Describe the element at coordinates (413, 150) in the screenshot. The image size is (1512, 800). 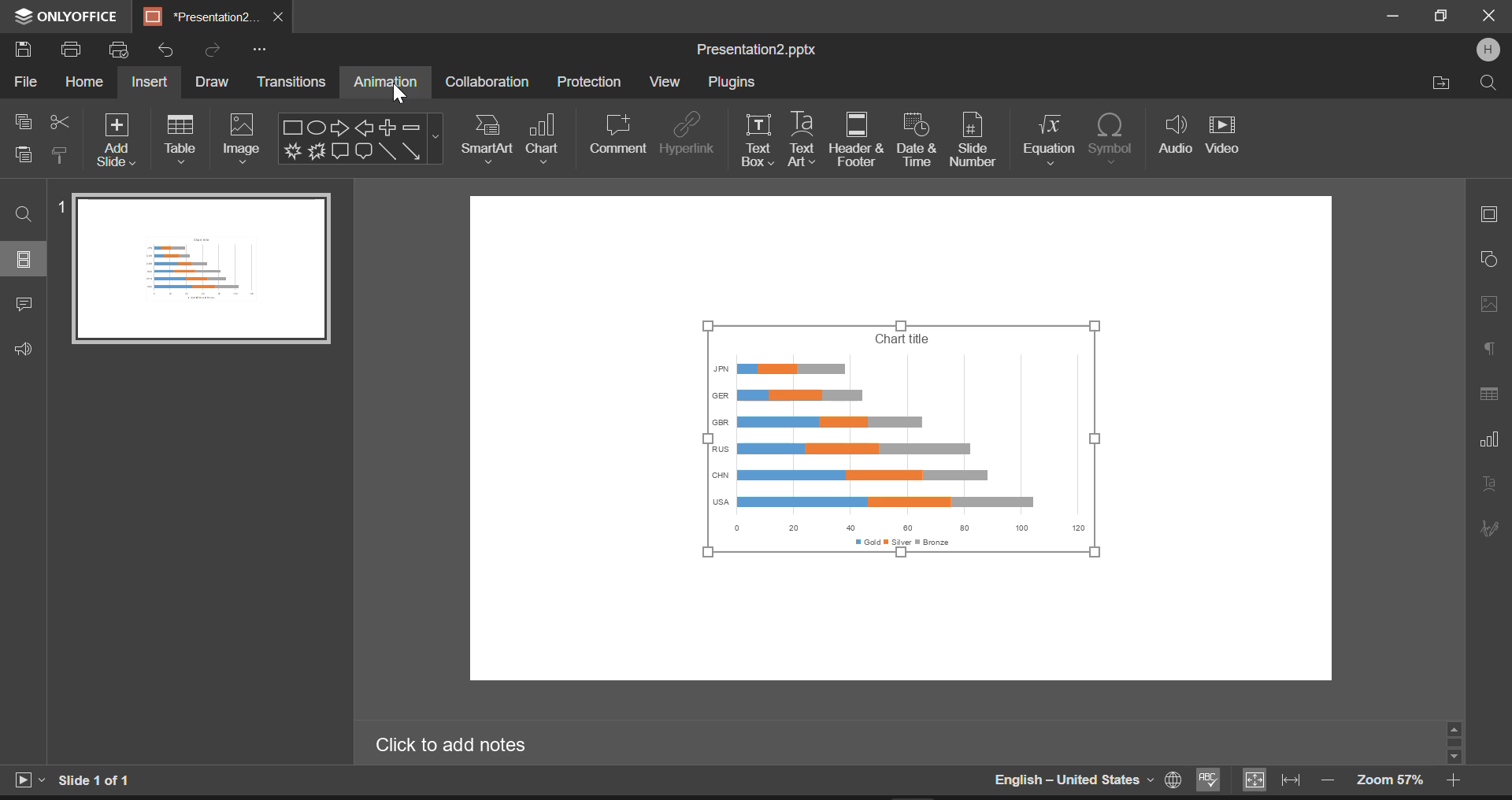
I see `Arrow` at that location.